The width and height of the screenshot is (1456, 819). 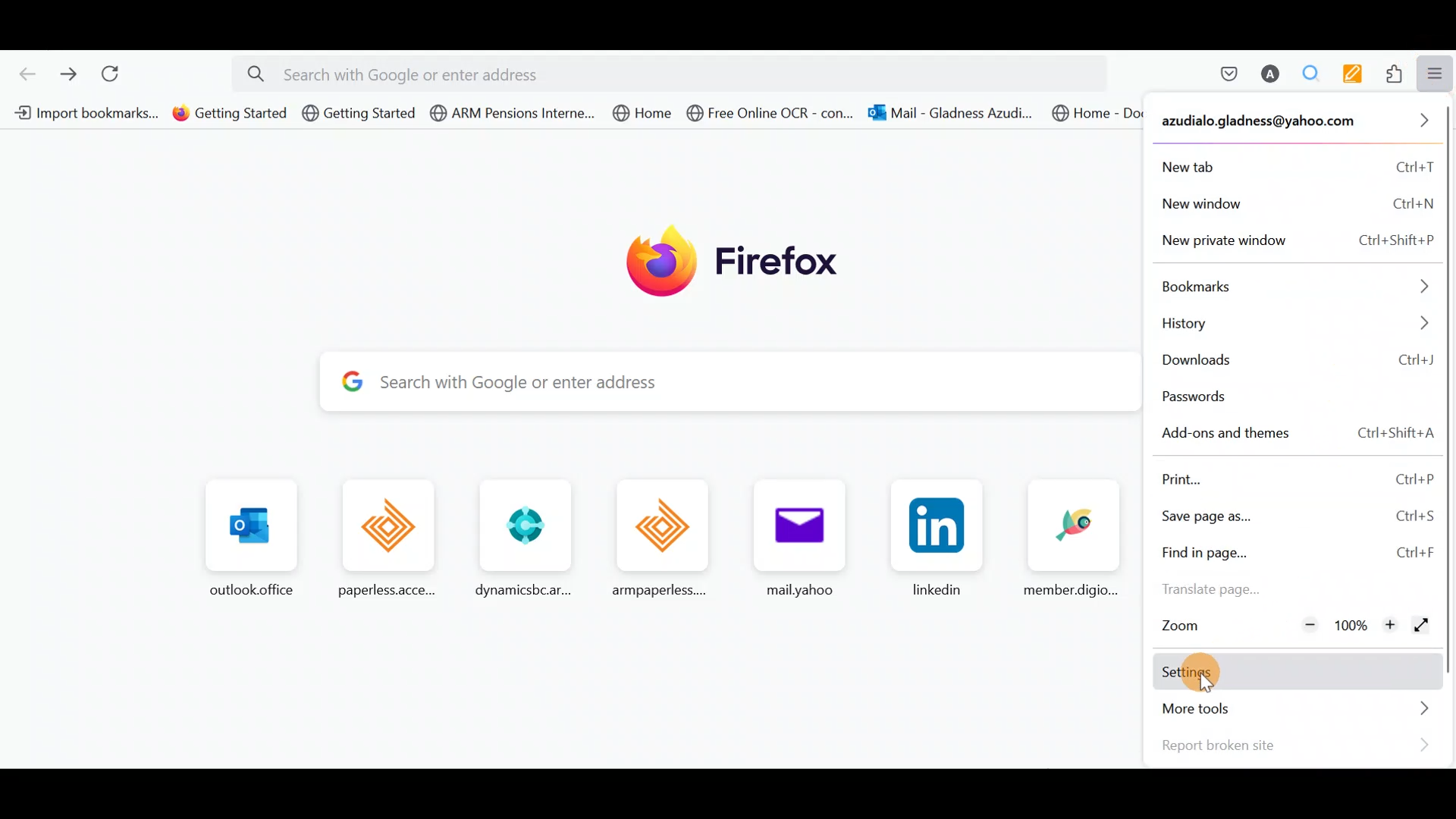 I want to click on Zoom, so click(x=1212, y=629).